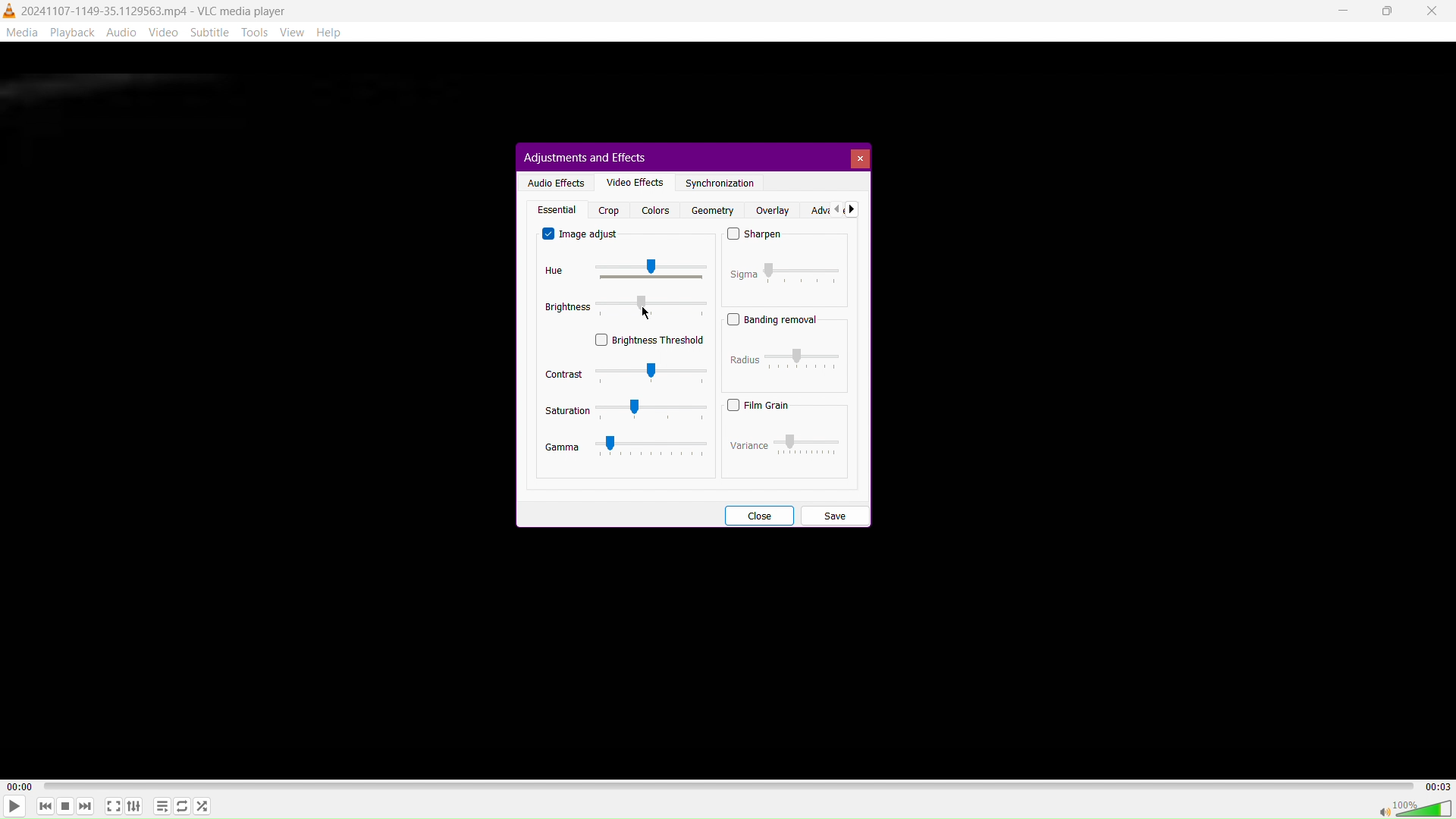  Describe the element at coordinates (755, 236) in the screenshot. I see `Sharpen` at that location.